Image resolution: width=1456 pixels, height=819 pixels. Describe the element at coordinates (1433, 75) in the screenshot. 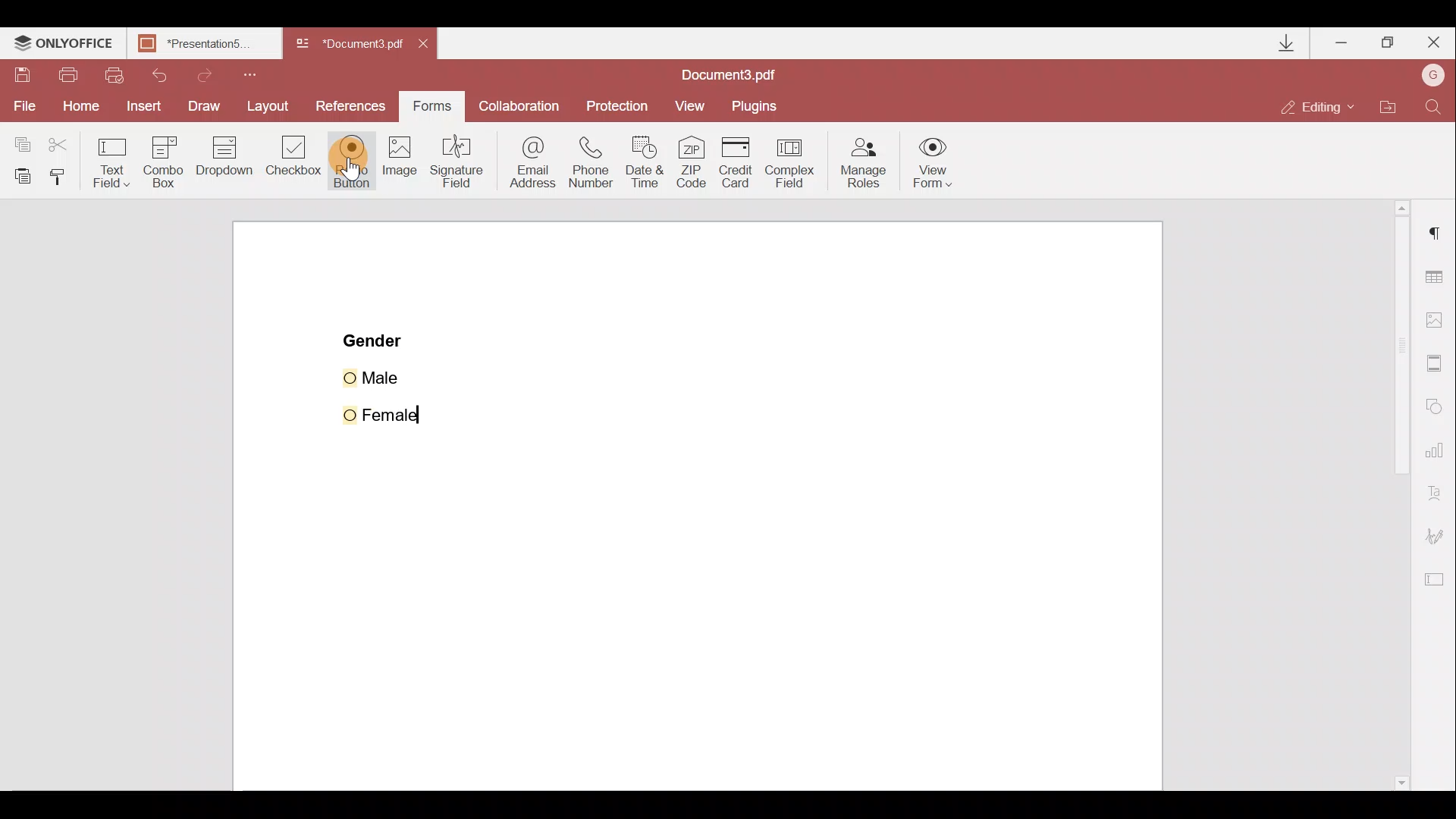

I see `Account name` at that location.